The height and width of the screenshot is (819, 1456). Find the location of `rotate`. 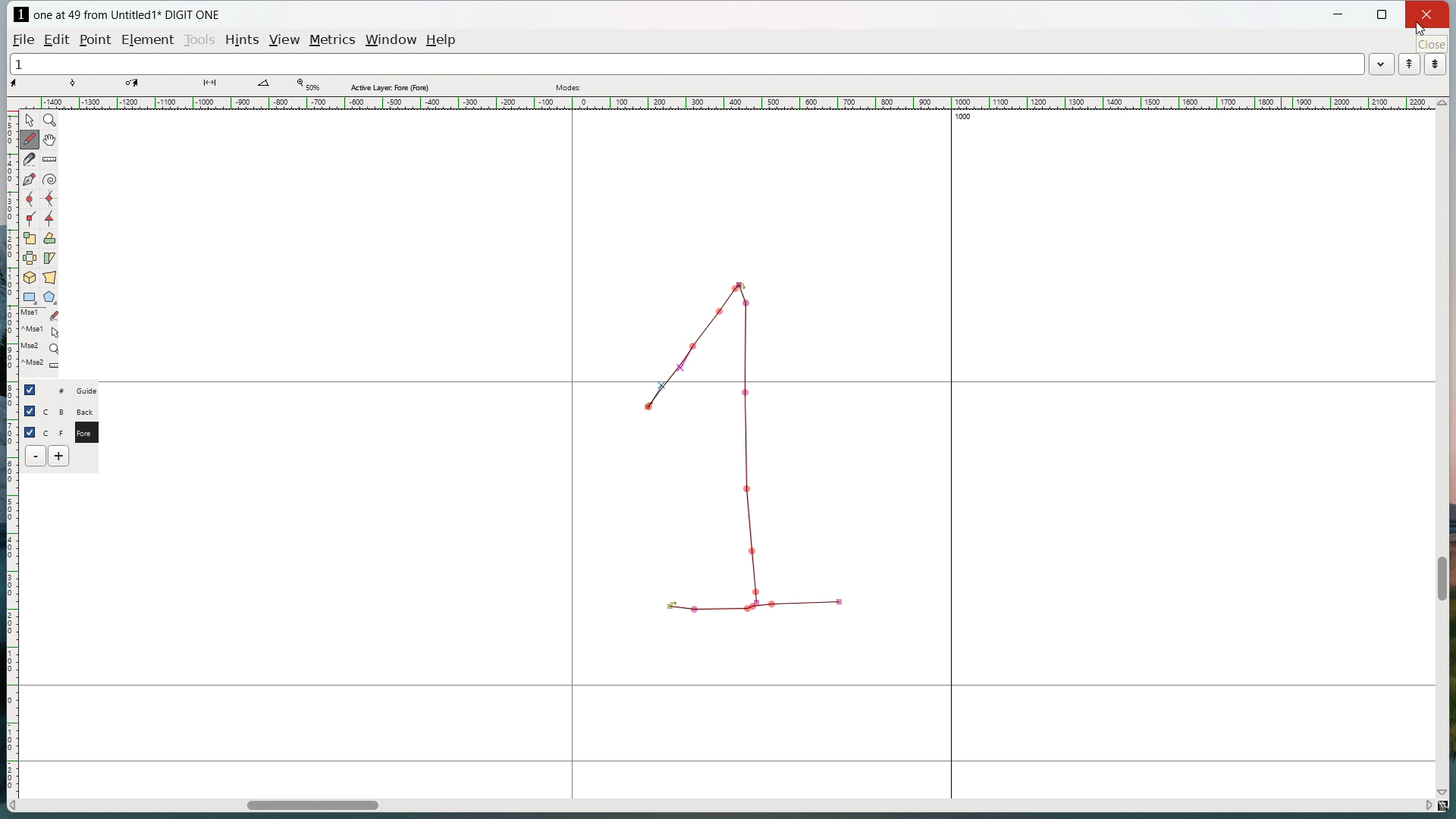

rotate is located at coordinates (49, 238).